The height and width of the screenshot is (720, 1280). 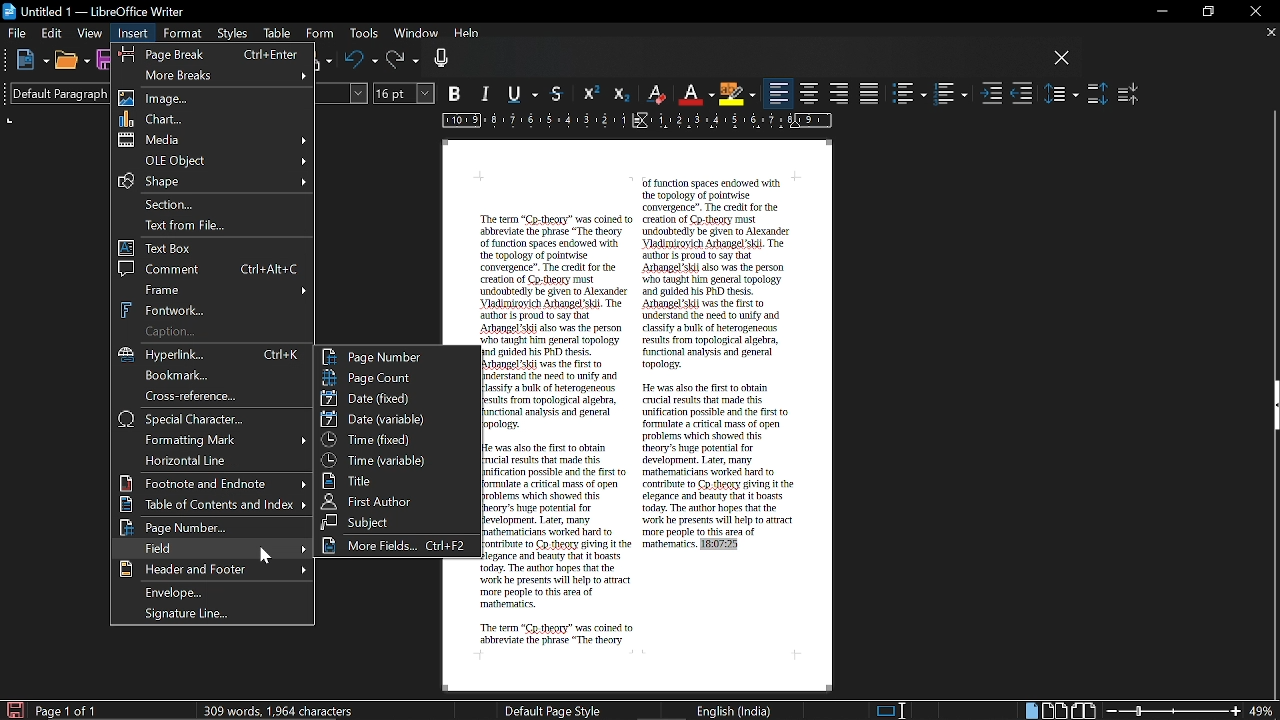 I want to click on English (India), so click(x=735, y=710).